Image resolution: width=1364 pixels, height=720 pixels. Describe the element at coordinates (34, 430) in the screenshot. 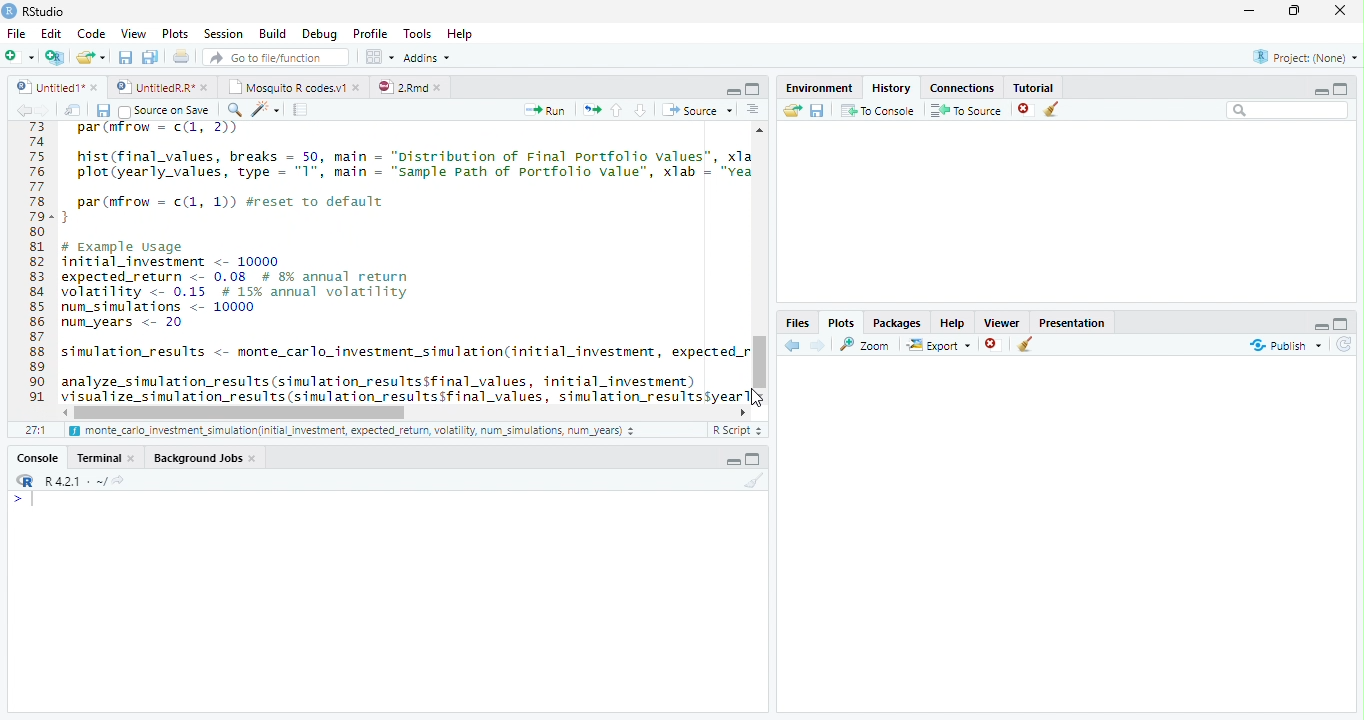

I see `1:1` at that location.